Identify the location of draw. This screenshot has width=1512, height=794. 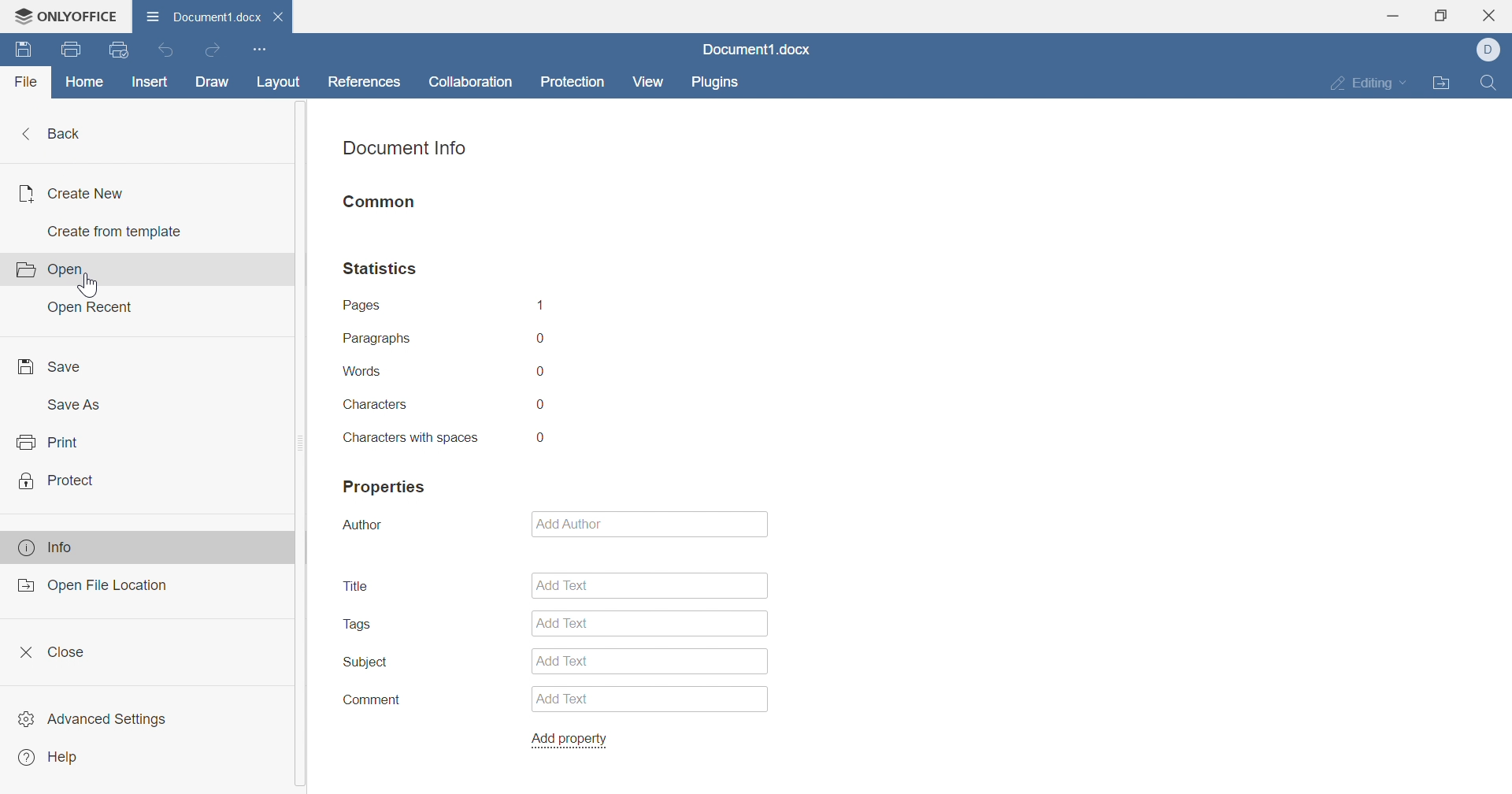
(213, 82).